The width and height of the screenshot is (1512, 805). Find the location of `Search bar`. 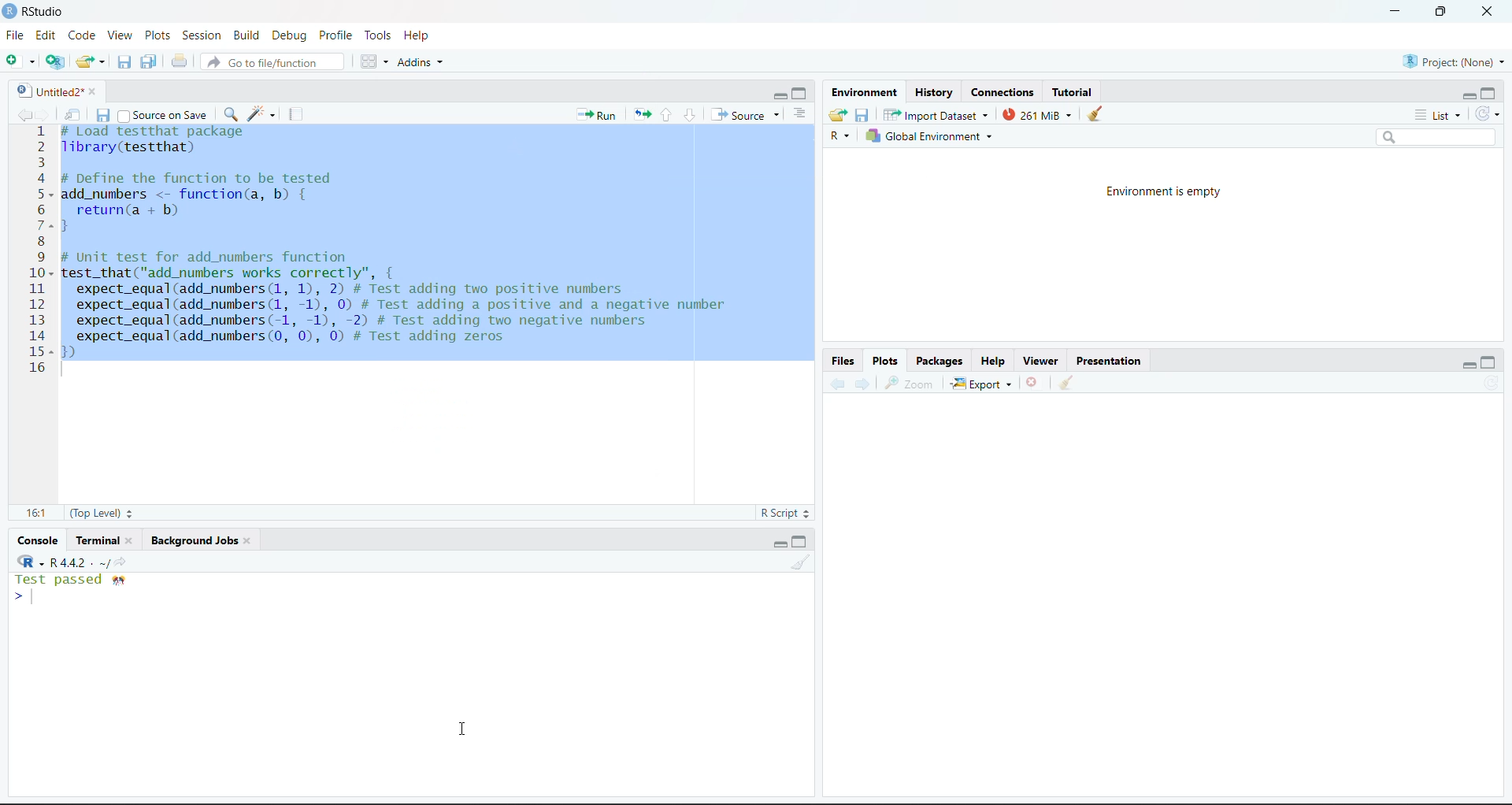

Search bar is located at coordinates (1436, 137).